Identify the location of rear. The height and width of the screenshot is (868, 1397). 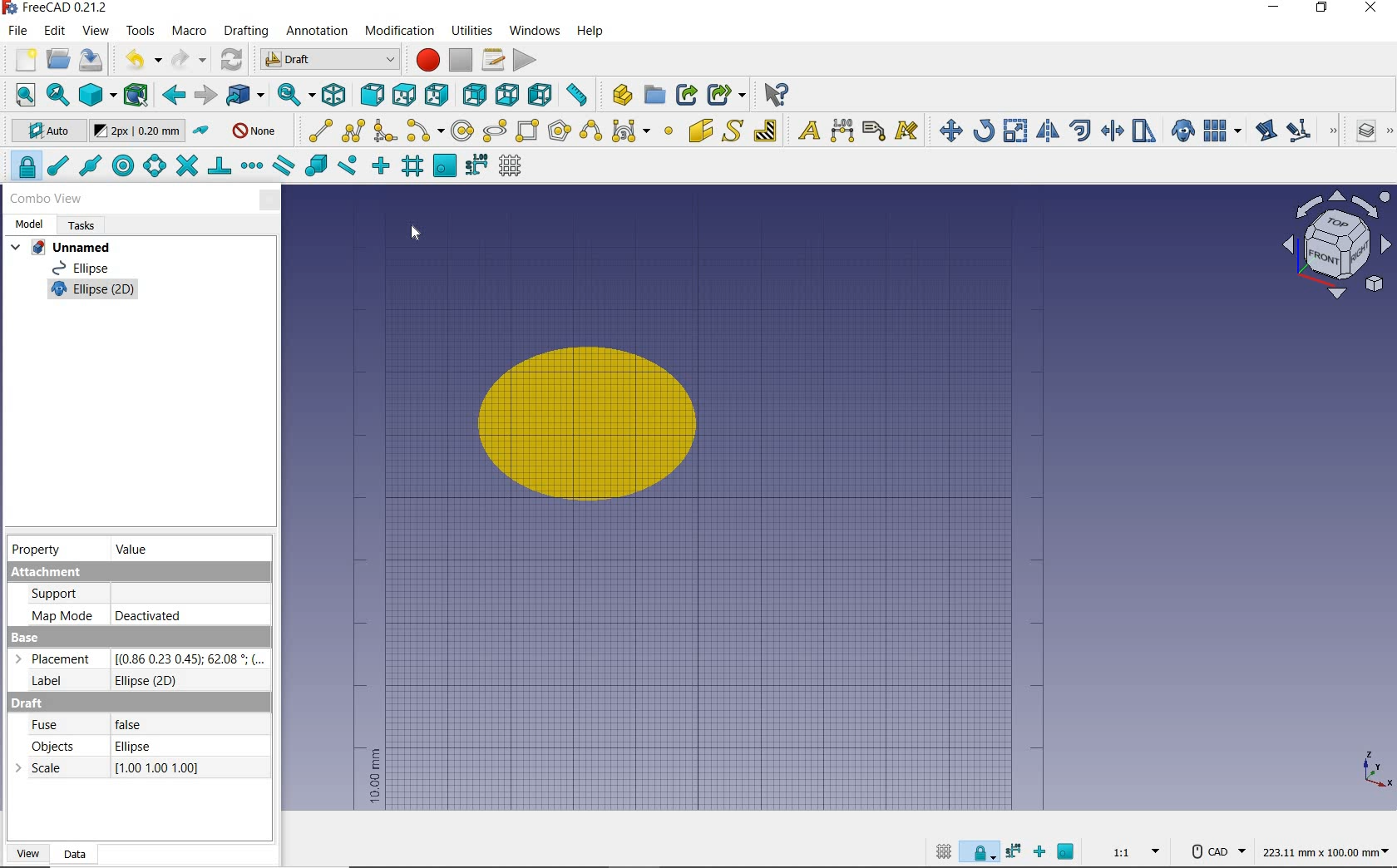
(474, 94).